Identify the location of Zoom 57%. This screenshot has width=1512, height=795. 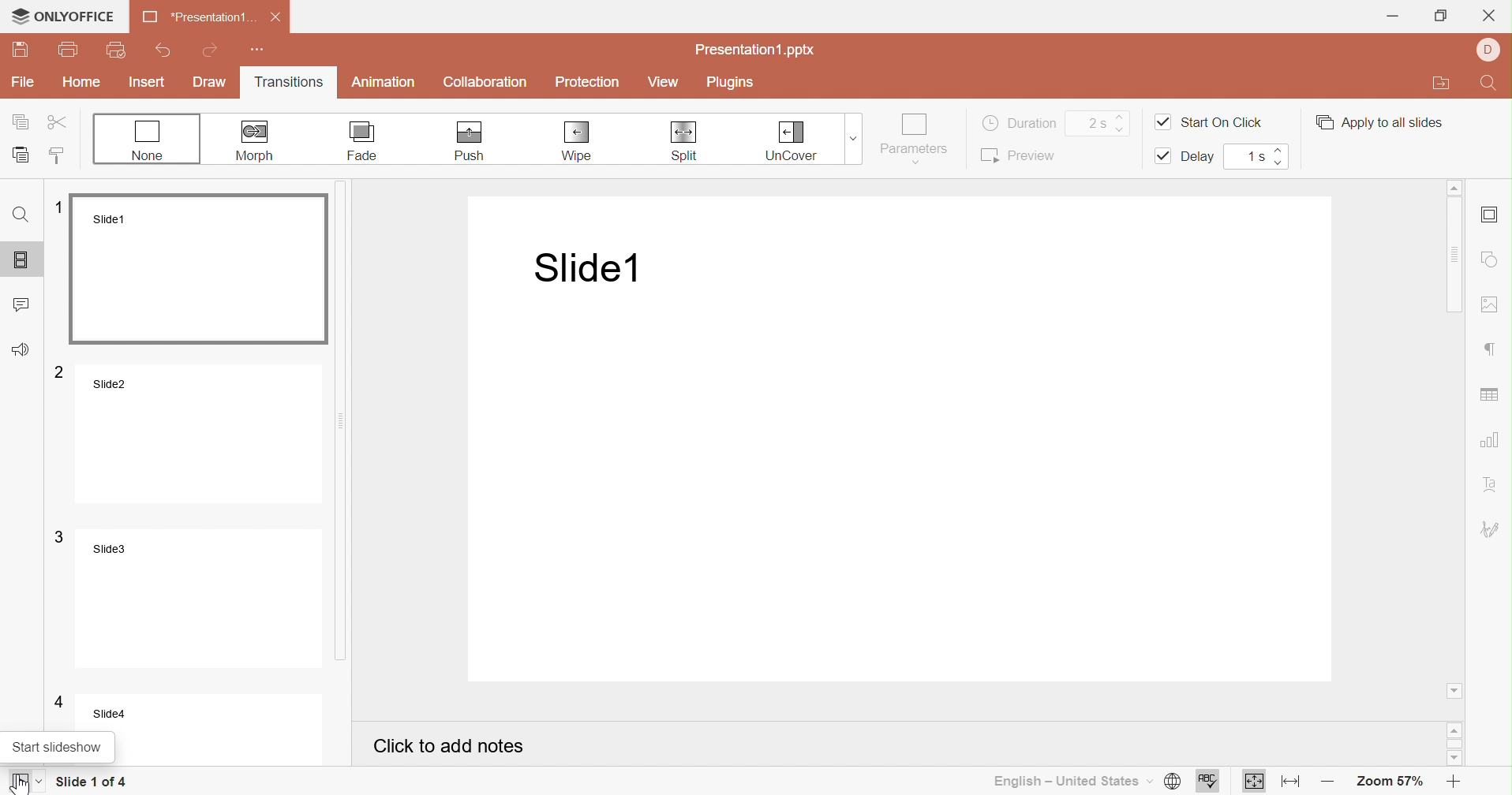
(1391, 783).